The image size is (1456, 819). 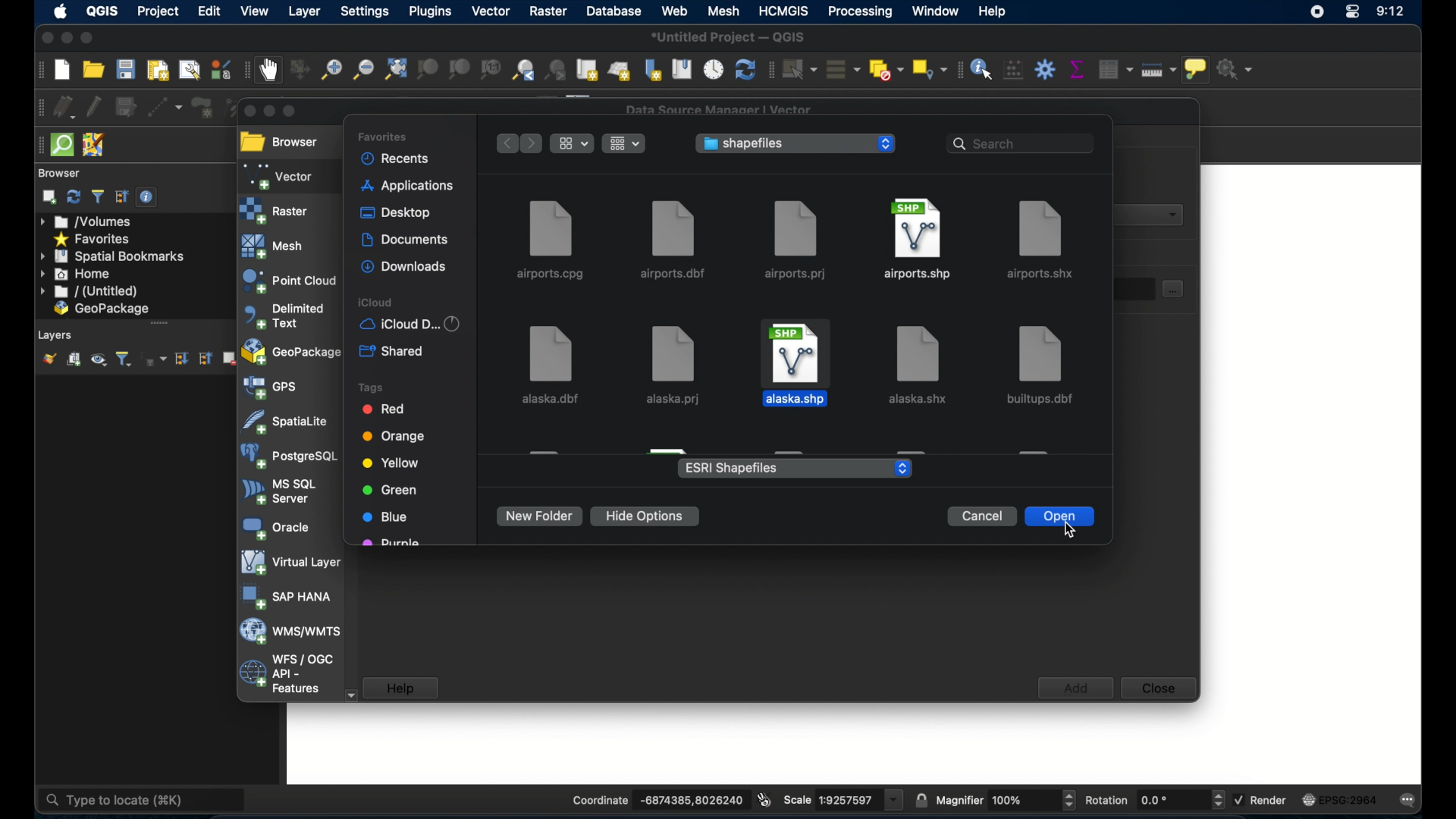 I want to click on vertex tool, so click(x=239, y=108).